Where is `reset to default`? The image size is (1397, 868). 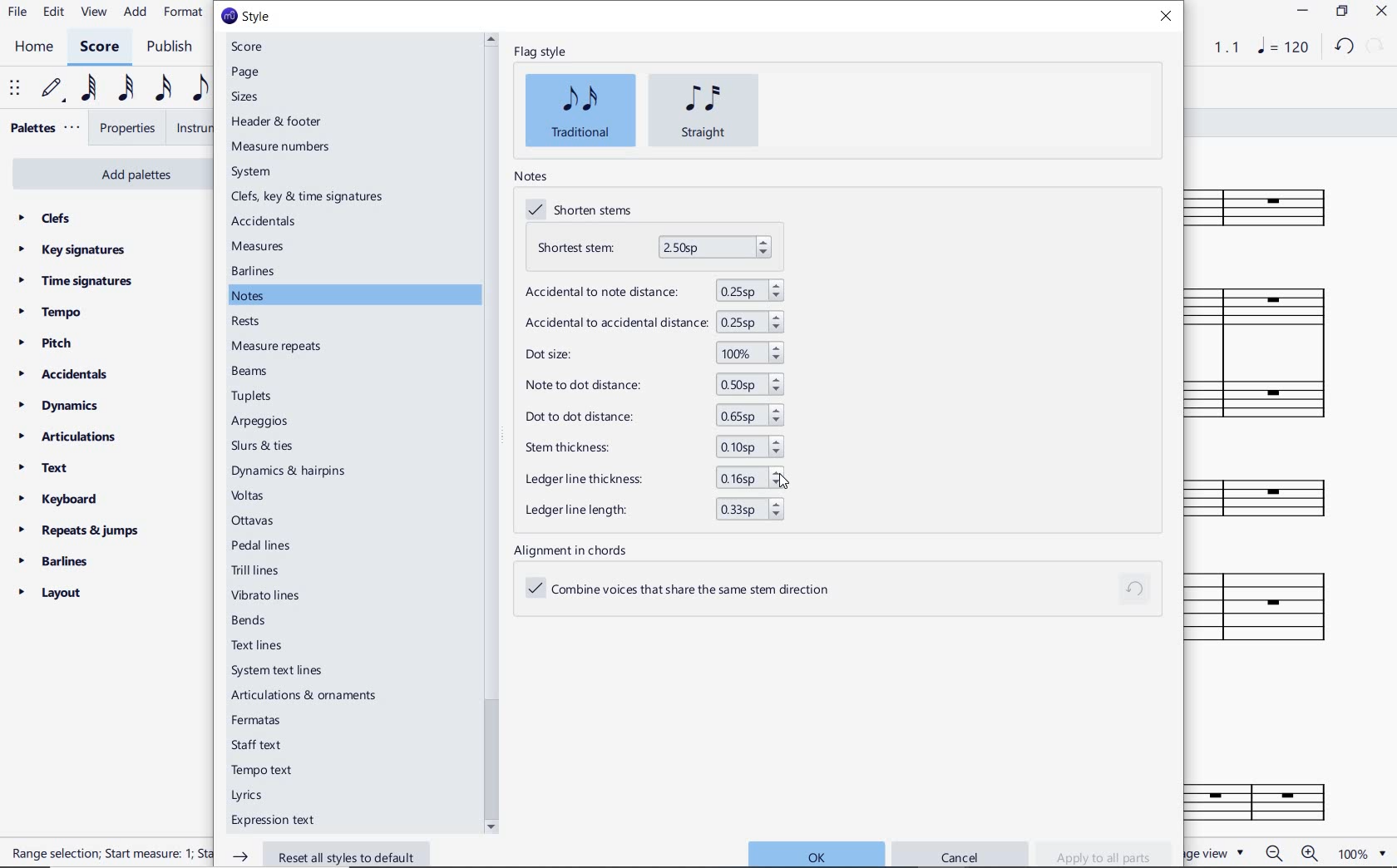 reset to default is located at coordinates (1136, 590).